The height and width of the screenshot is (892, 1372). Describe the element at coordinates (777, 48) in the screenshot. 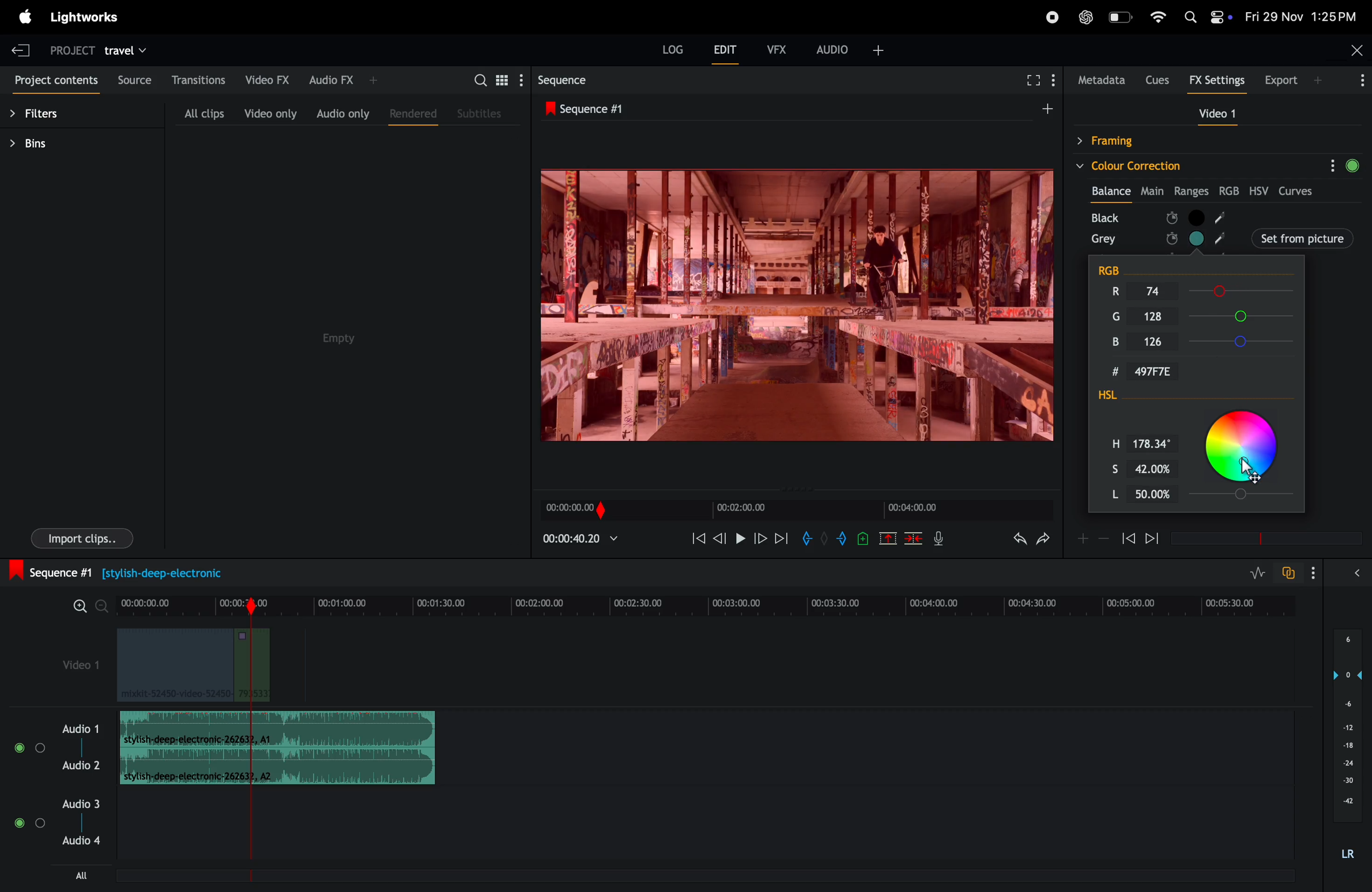

I see `vfx` at that location.